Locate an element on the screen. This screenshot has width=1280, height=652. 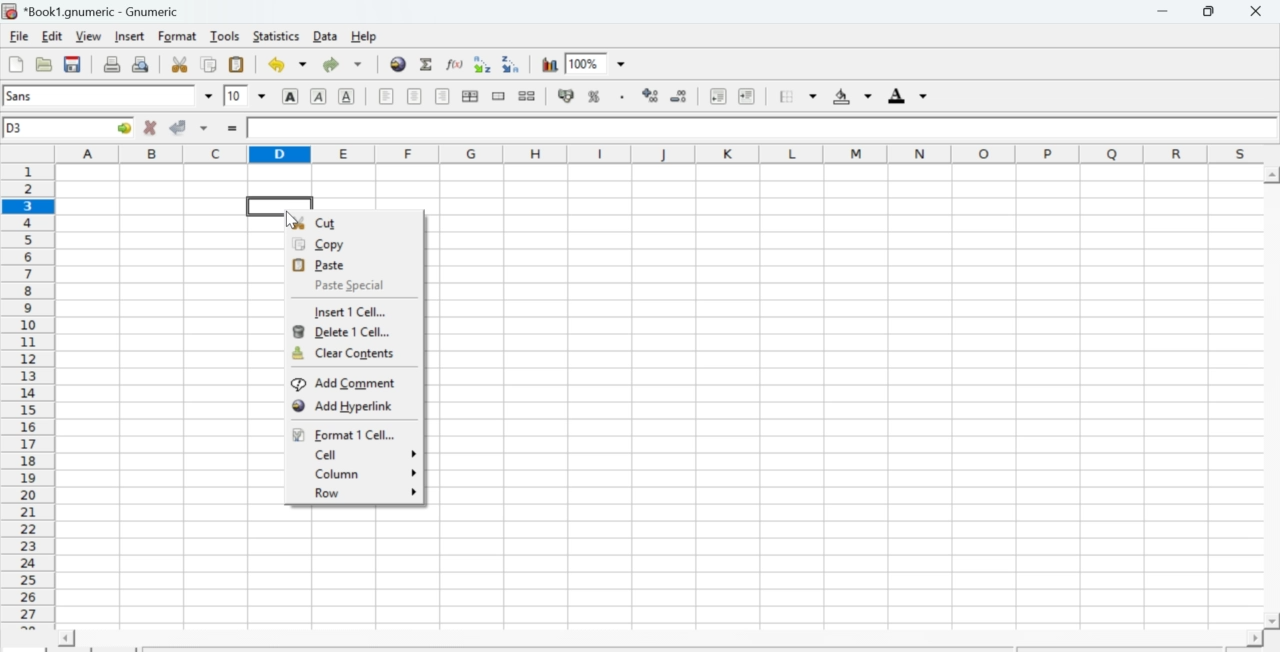
Cell is located at coordinates (357, 454).